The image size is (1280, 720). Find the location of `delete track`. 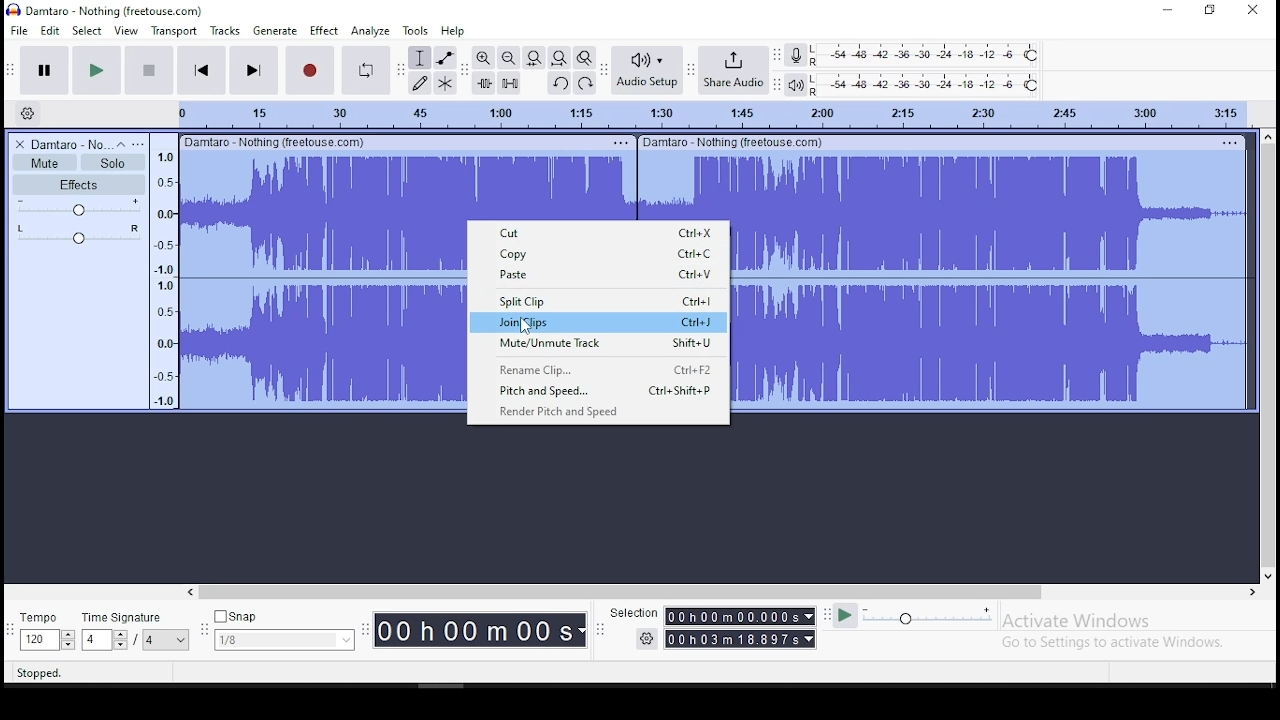

delete track is located at coordinates (17, 145).